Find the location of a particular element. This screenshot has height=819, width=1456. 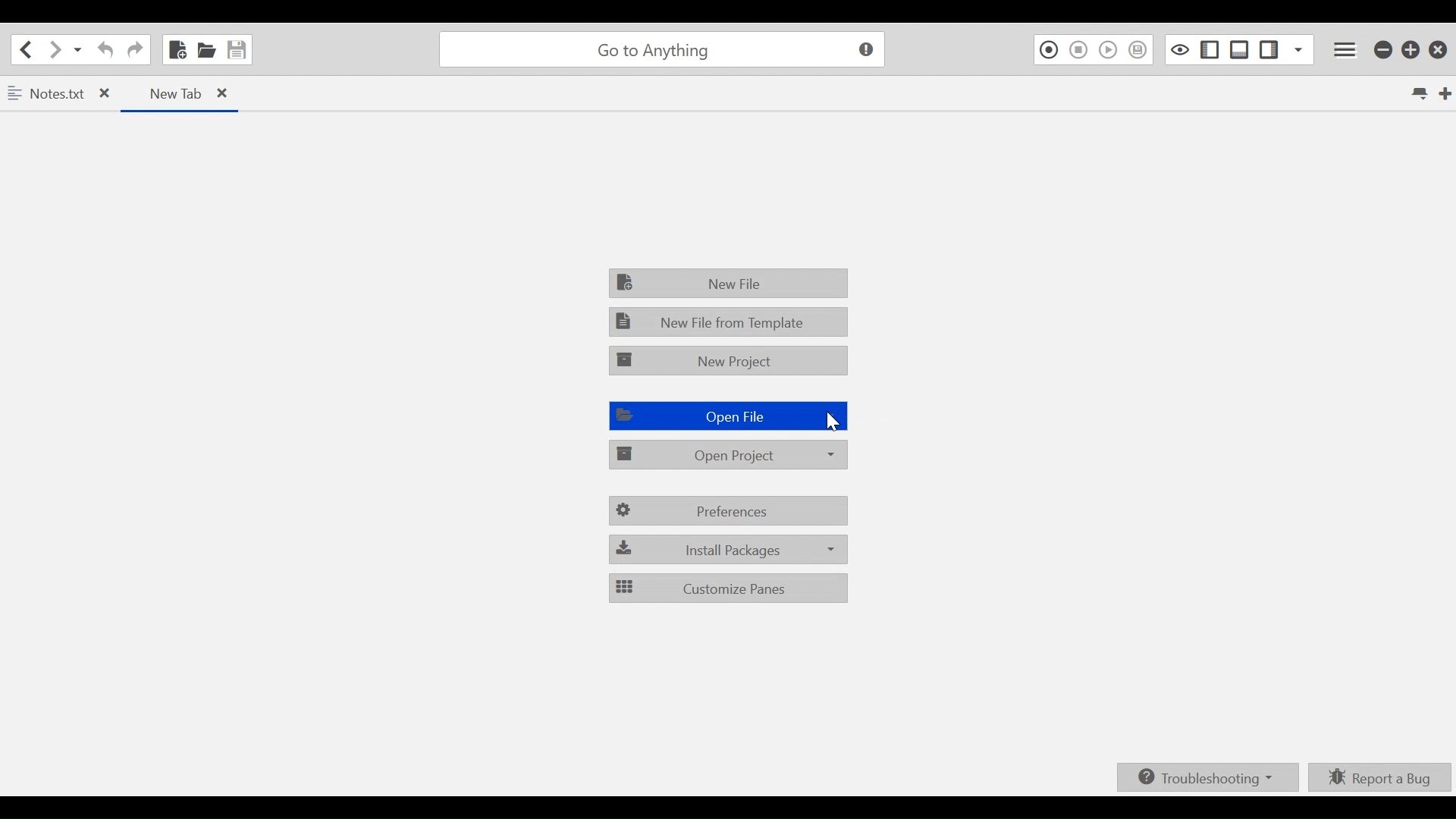

Toggle focus mode is located at coordinates (1180, 49).